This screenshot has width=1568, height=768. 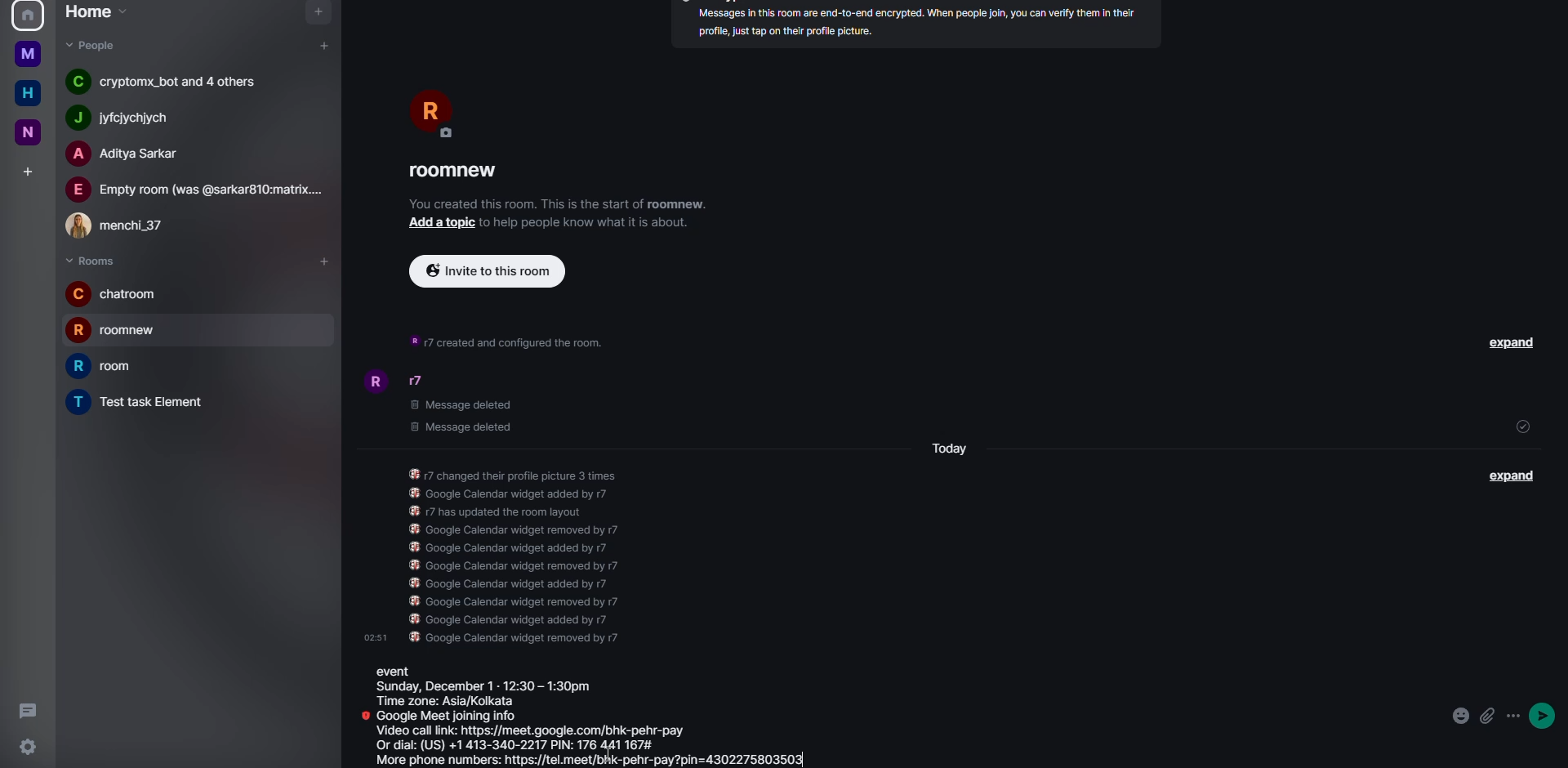 I want to click on profile, so click(x=25, y=16).